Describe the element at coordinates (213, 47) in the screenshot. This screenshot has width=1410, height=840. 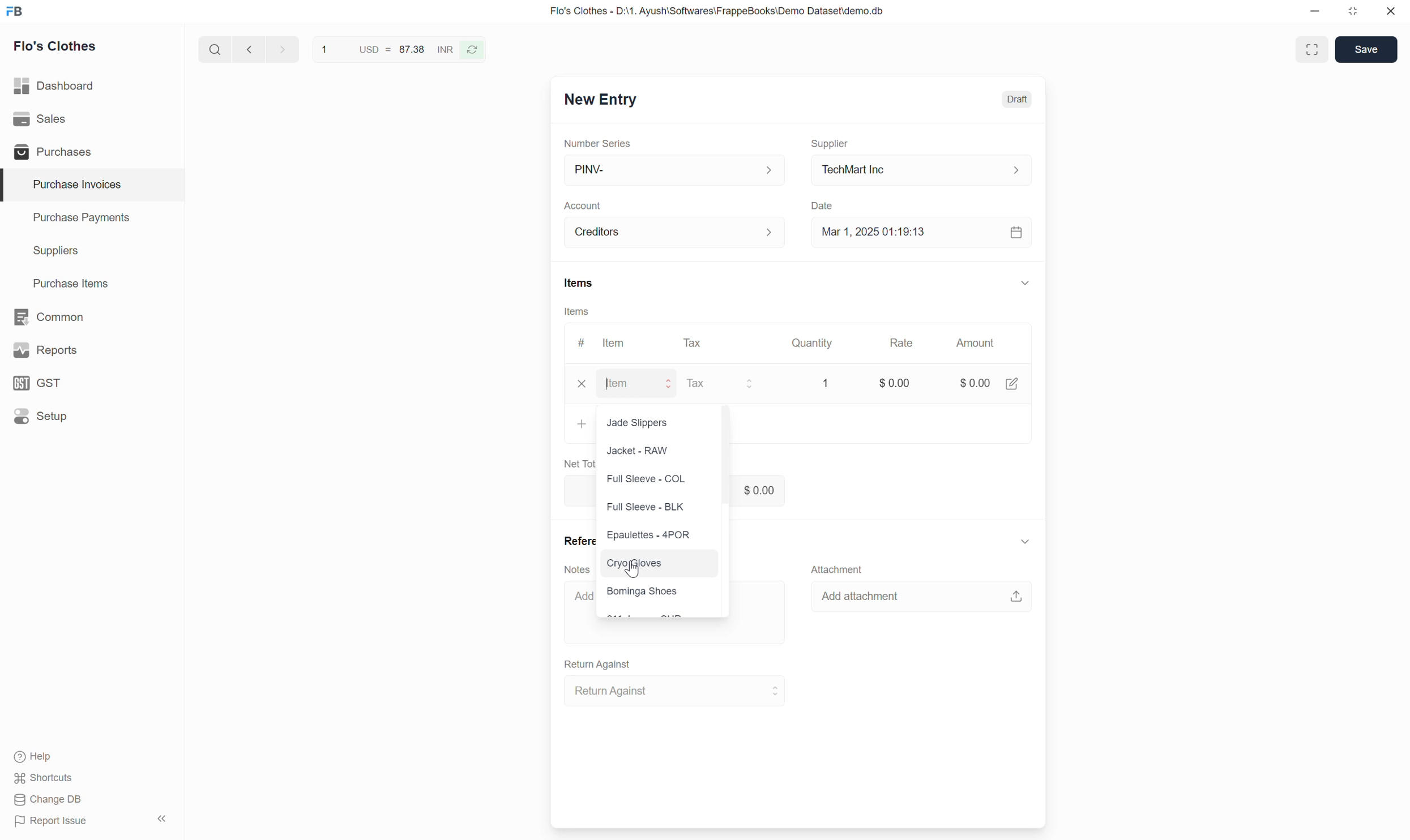
I see `search` at that location.